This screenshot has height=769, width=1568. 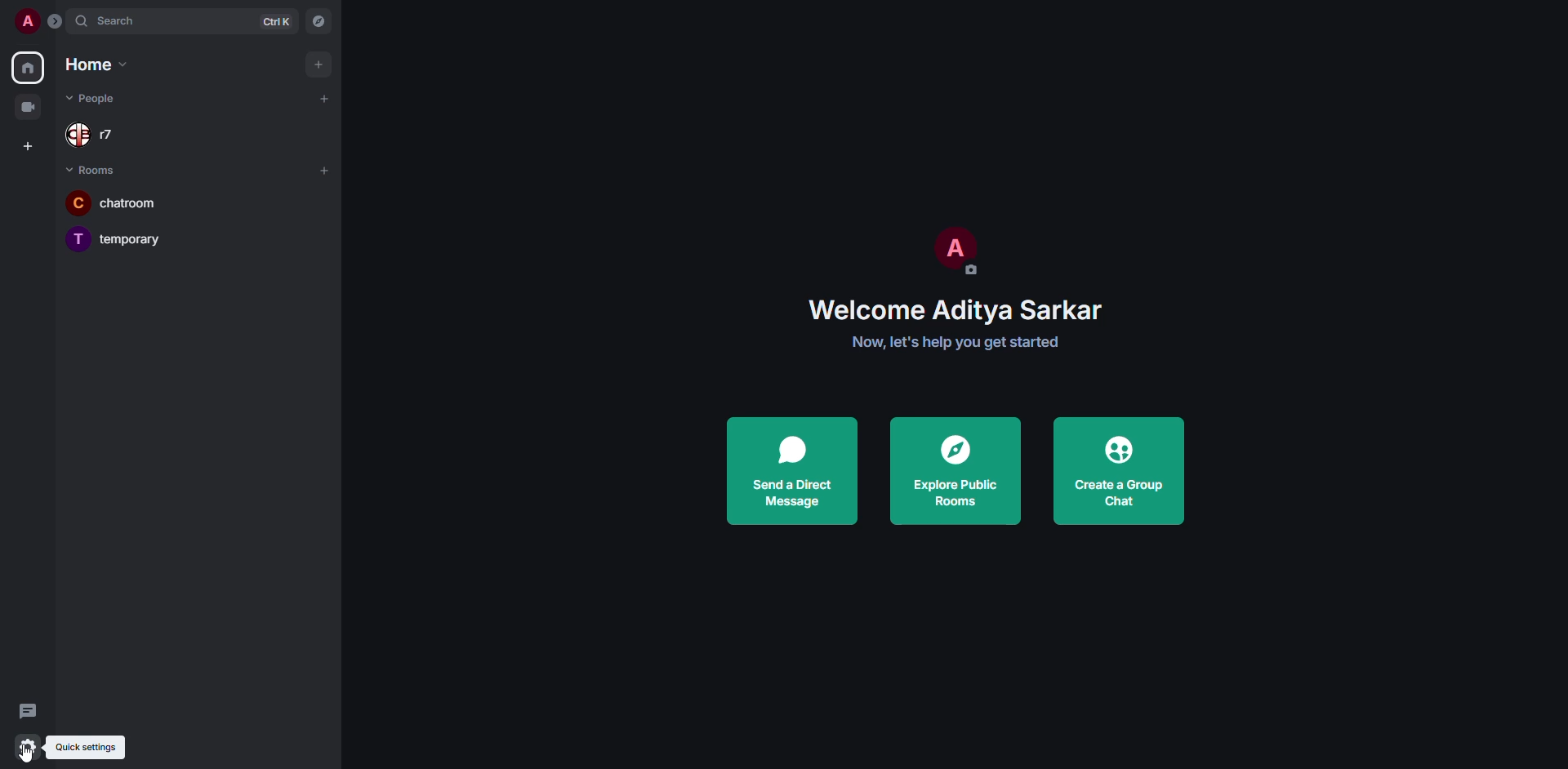 I want to click on r7, so click(x=96, y=137).